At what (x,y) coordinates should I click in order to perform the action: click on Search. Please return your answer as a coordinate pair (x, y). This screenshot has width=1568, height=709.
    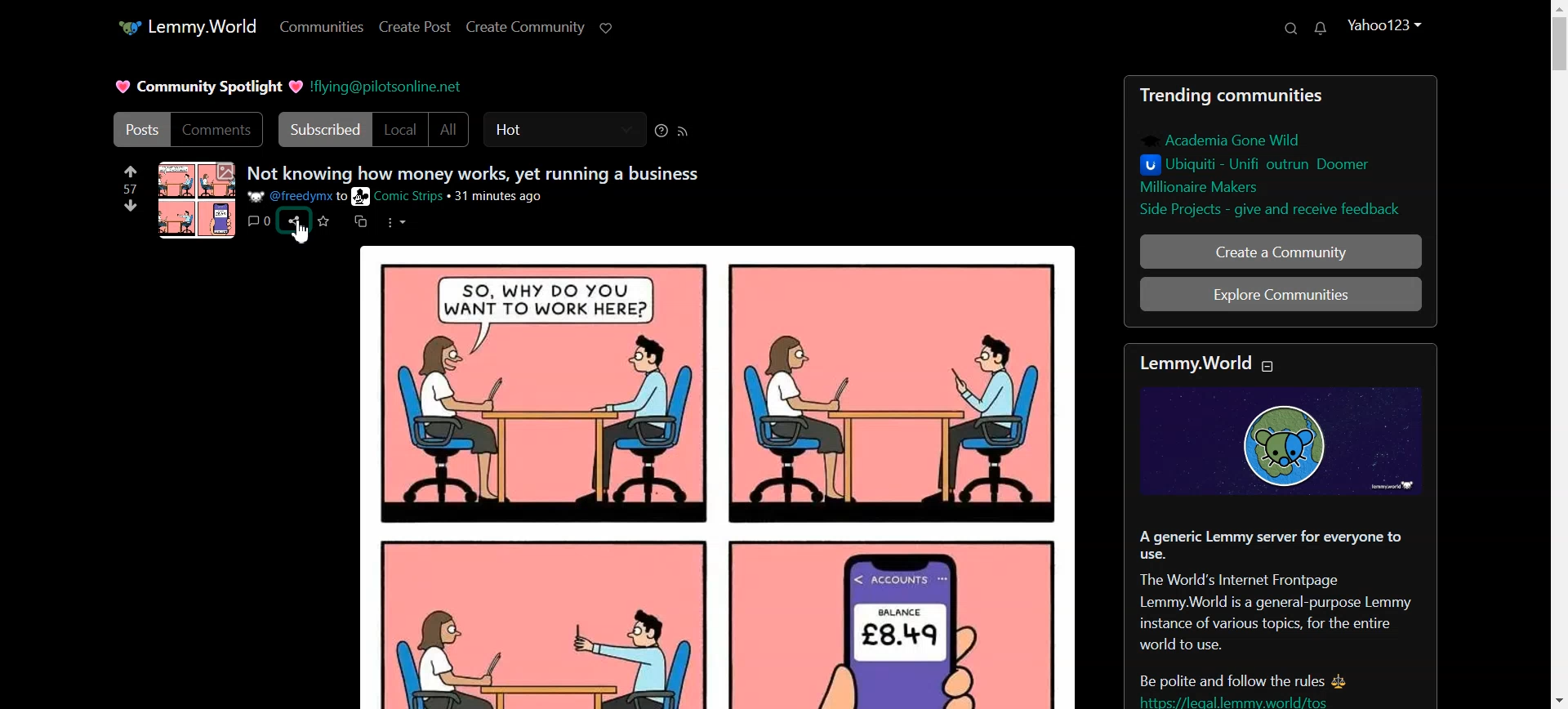
    Looking at the image, I should click on (1290, 29).